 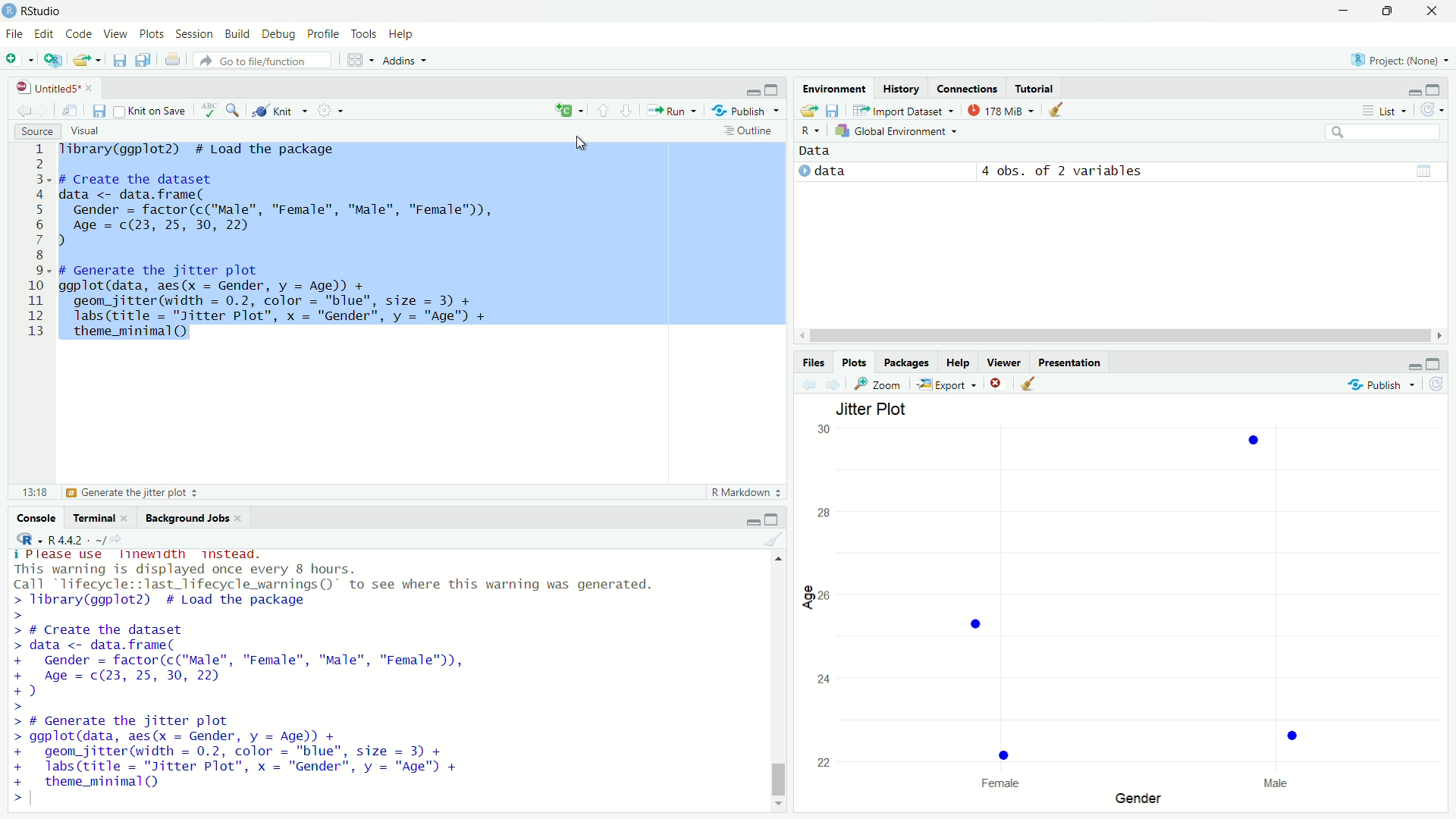 What do you see at coordinates (835, 88) in the screenshot?
I see `environment` at bounding box center [835, 88].